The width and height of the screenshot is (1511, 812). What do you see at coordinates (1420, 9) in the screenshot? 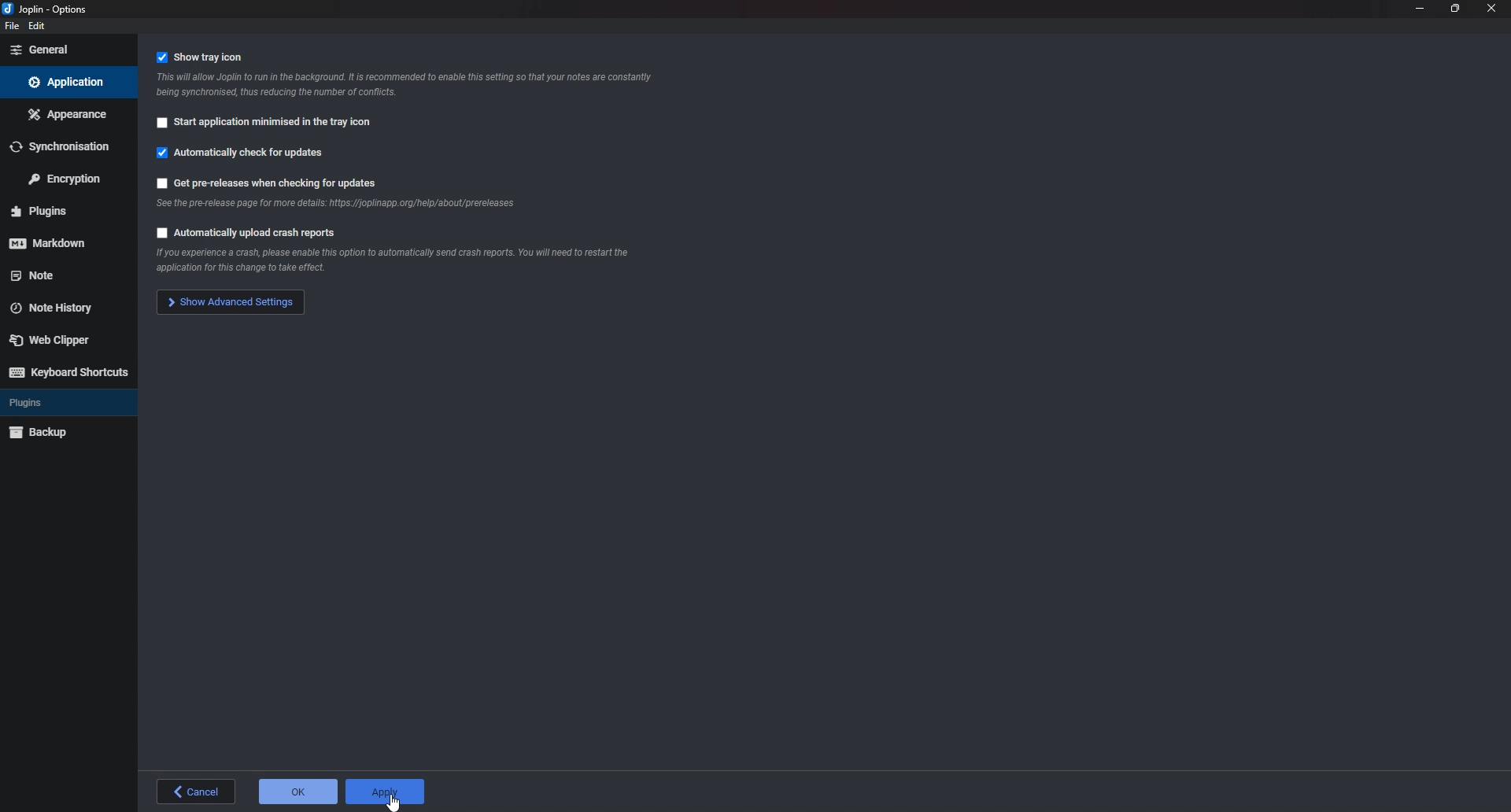
I see `minimize` at bounding box center [1420, 9].